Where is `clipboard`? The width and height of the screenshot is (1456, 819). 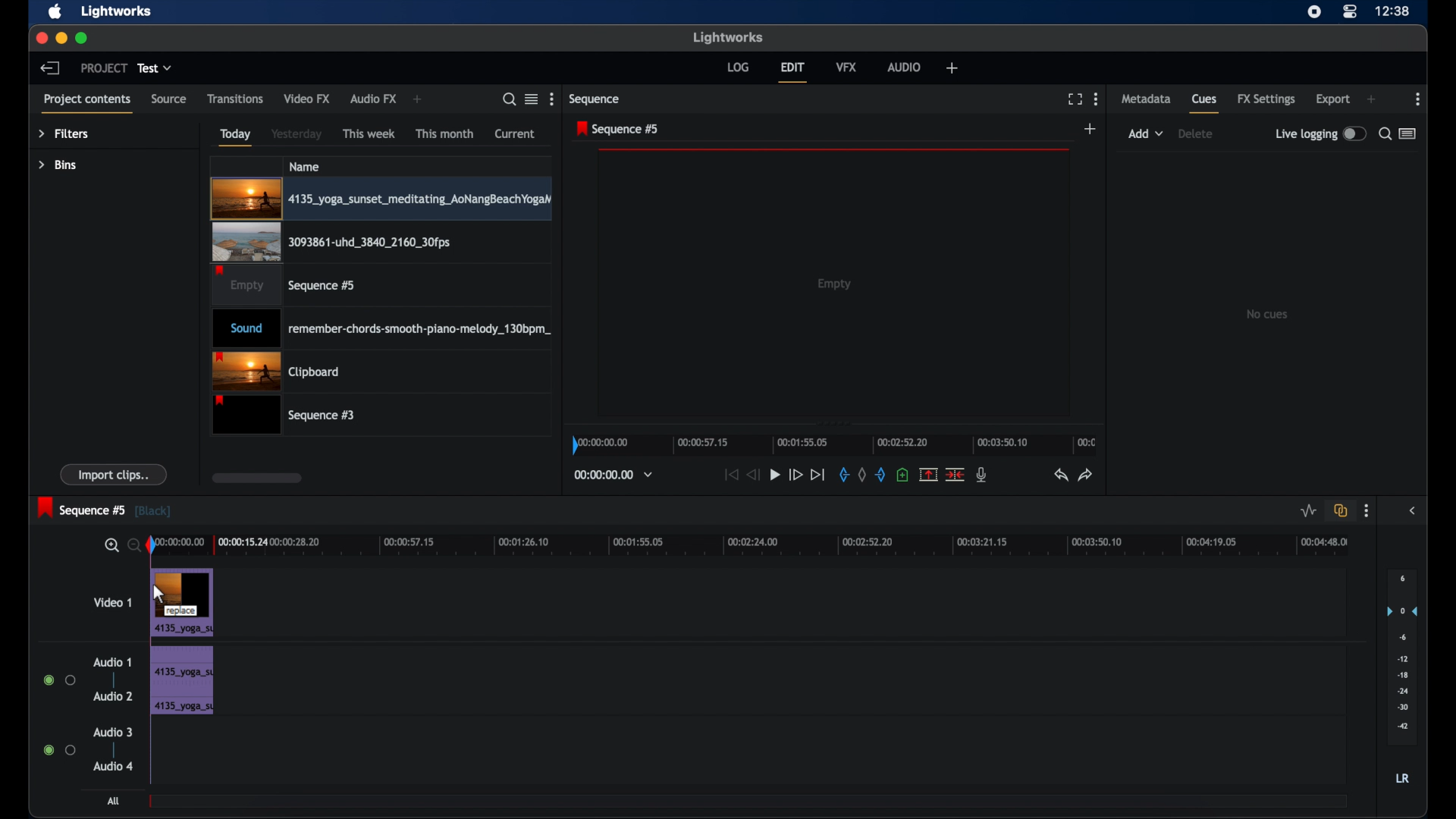
clipboard is located at coordinates (281, 371).